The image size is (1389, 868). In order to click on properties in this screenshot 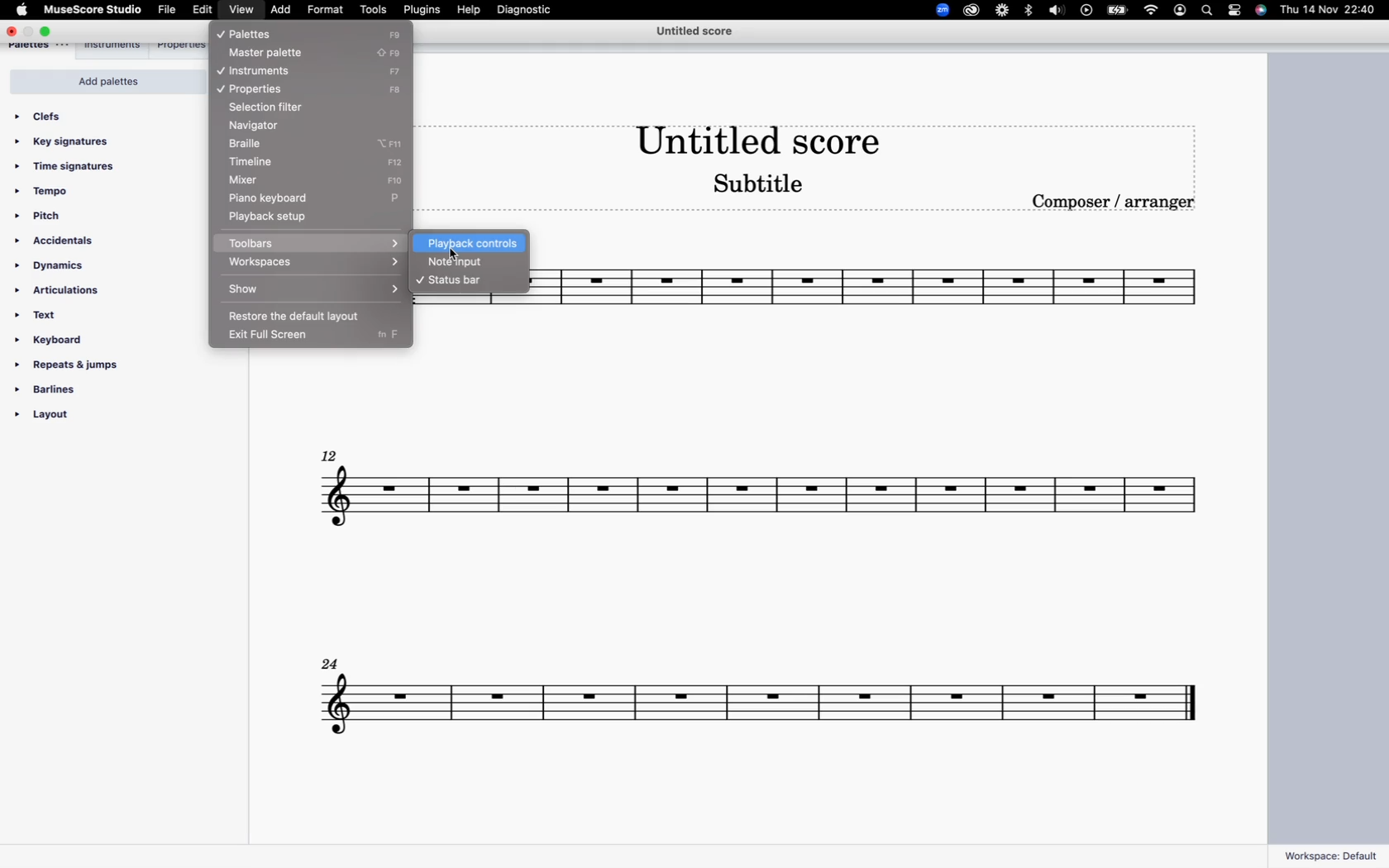, I will do `click(284, 88)`.